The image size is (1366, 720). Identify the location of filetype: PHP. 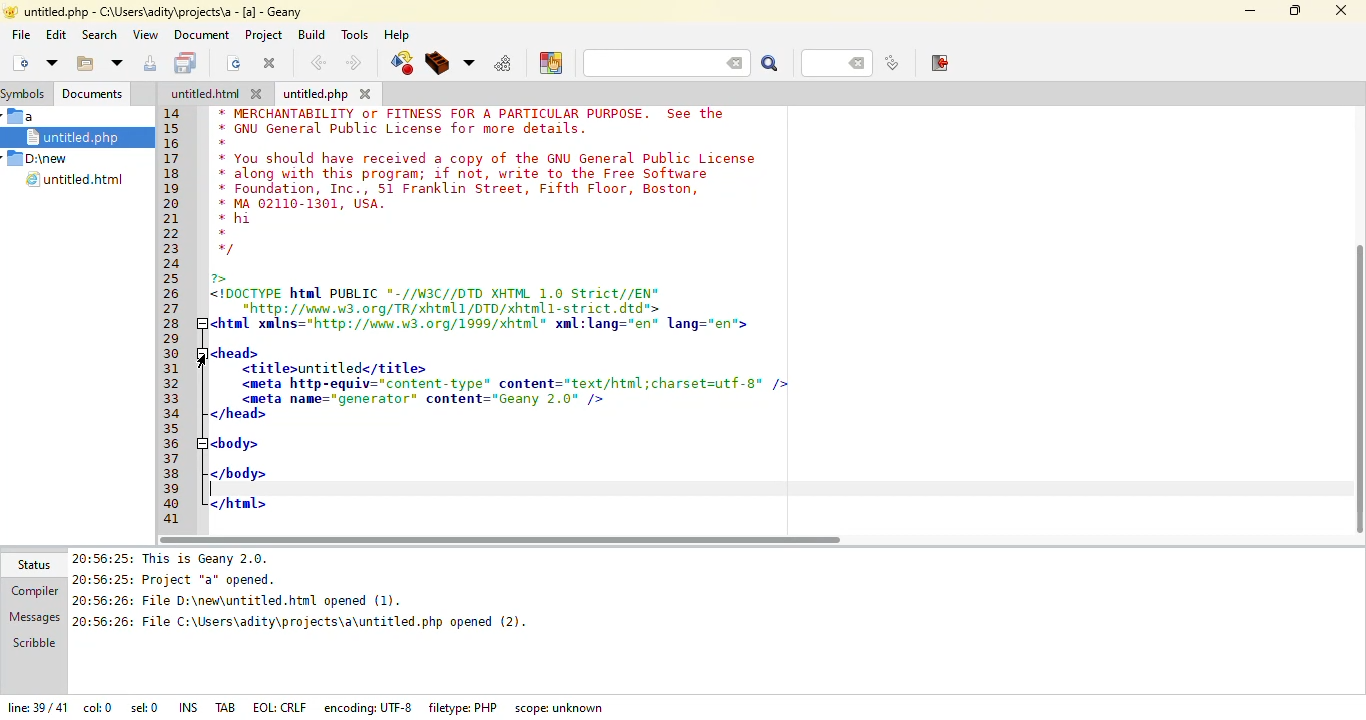
(462, 708).